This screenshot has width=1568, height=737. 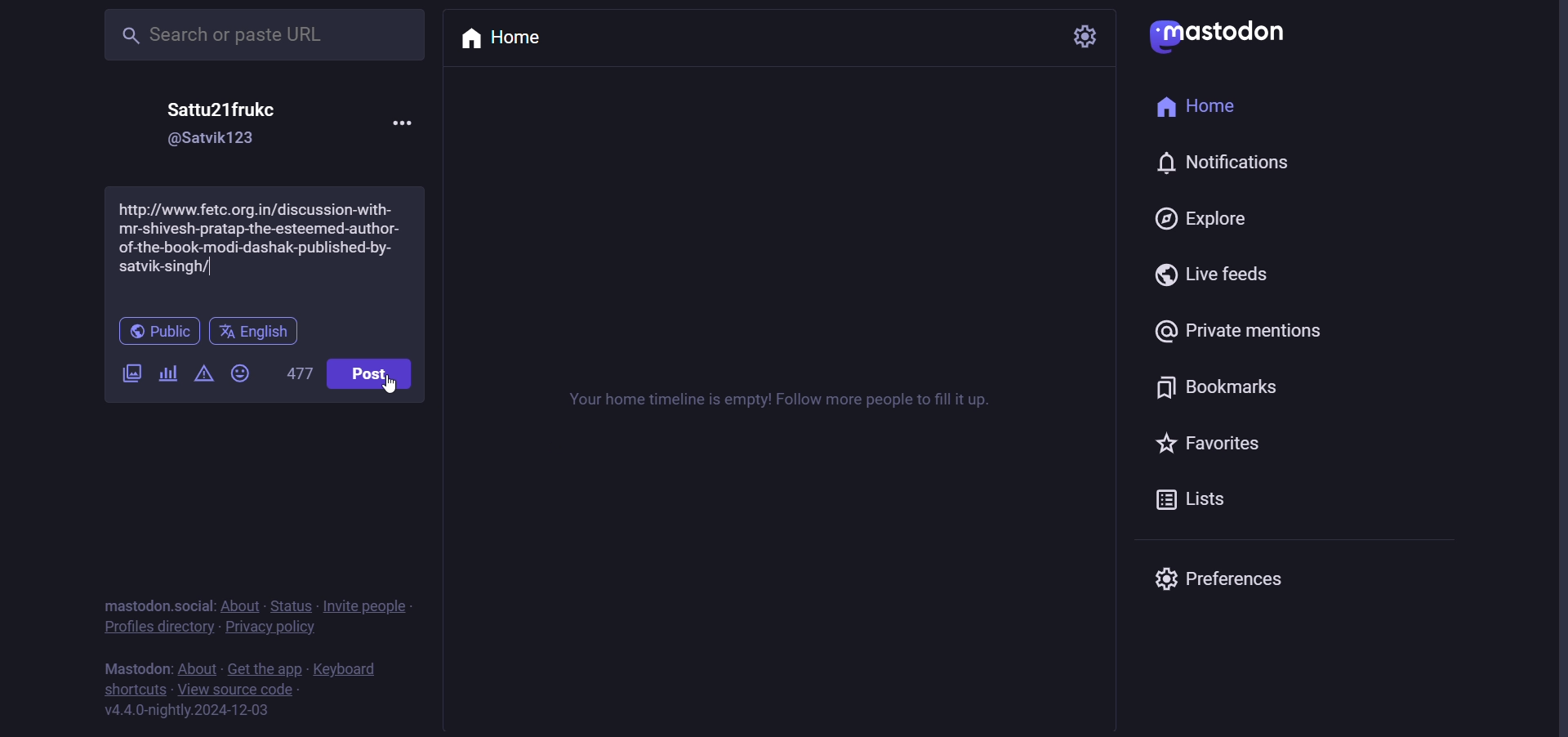 I want to click on mastodon, so click(x=1223, y=33).